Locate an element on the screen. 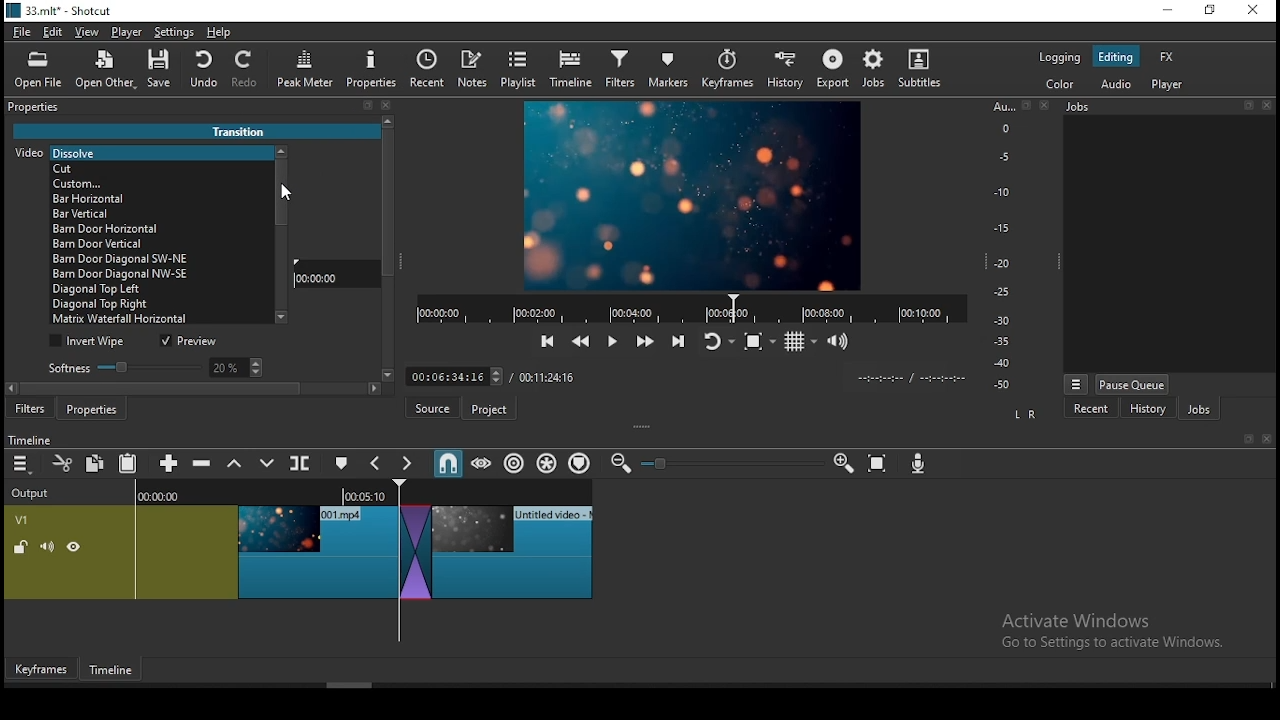 The image size is (1280, 720). timeline is located at coordinates (571, 70).